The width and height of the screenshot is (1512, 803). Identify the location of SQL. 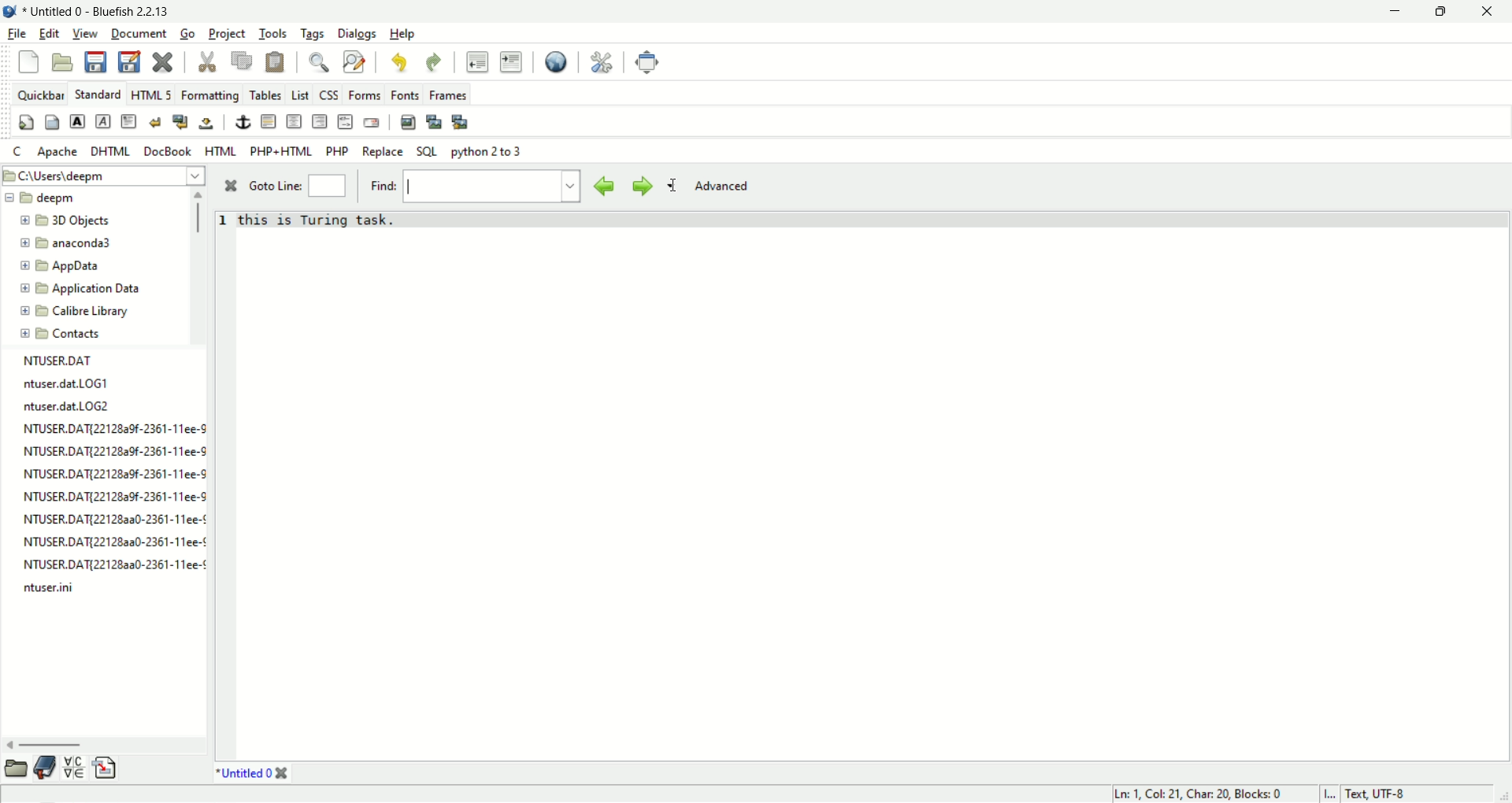
(428, 151).